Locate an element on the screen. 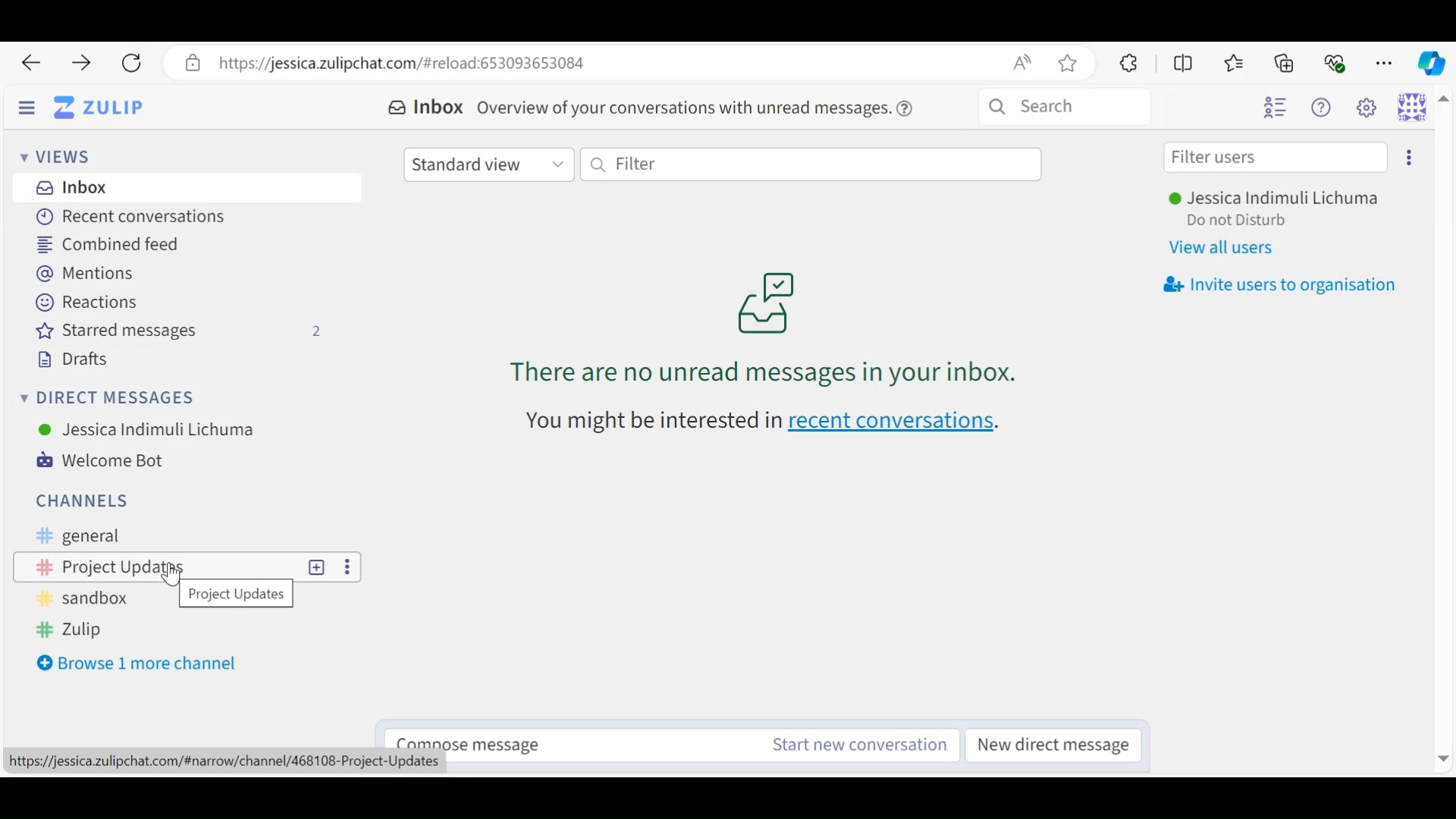  Settigs and more is located at coordinates (1386, 63).